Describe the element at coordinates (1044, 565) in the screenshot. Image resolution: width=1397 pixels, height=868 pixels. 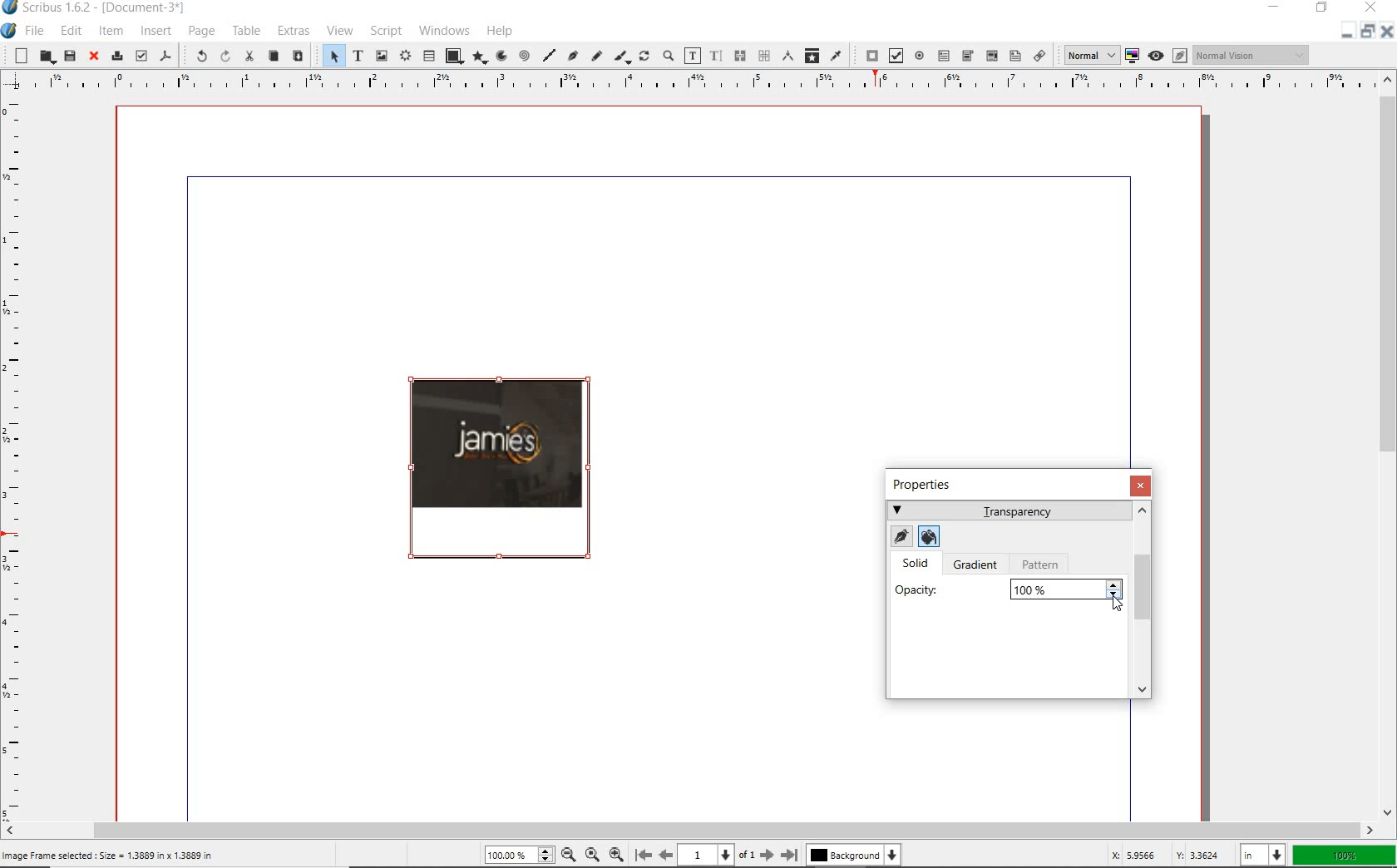
I see `PATTERN` at that location.